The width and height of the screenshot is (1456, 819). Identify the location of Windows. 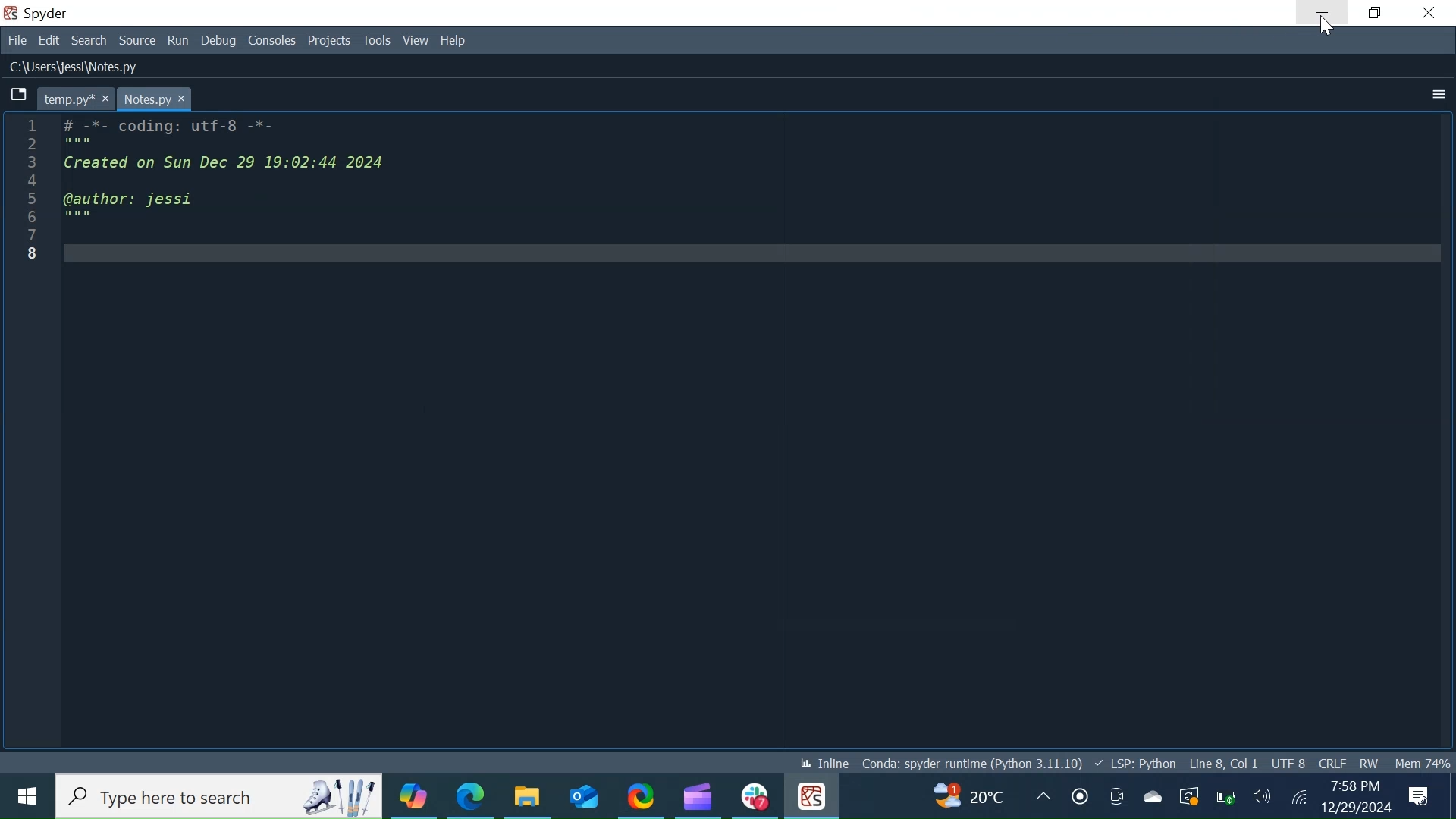
(28, 793).